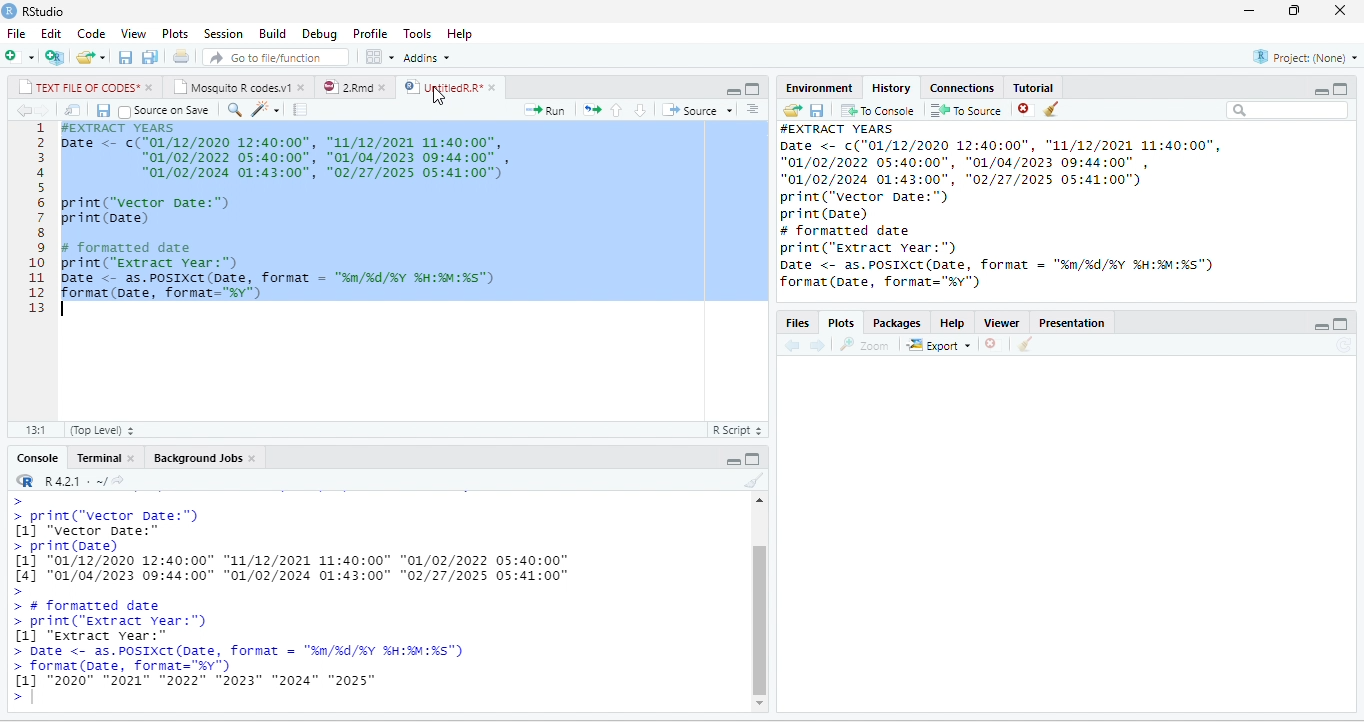 The height and width of the screenshot is (722, 1364). What do you see at coordinates (1321, 91) in the screenshot?
I see `minimize` at bounding box center [1321, 91].